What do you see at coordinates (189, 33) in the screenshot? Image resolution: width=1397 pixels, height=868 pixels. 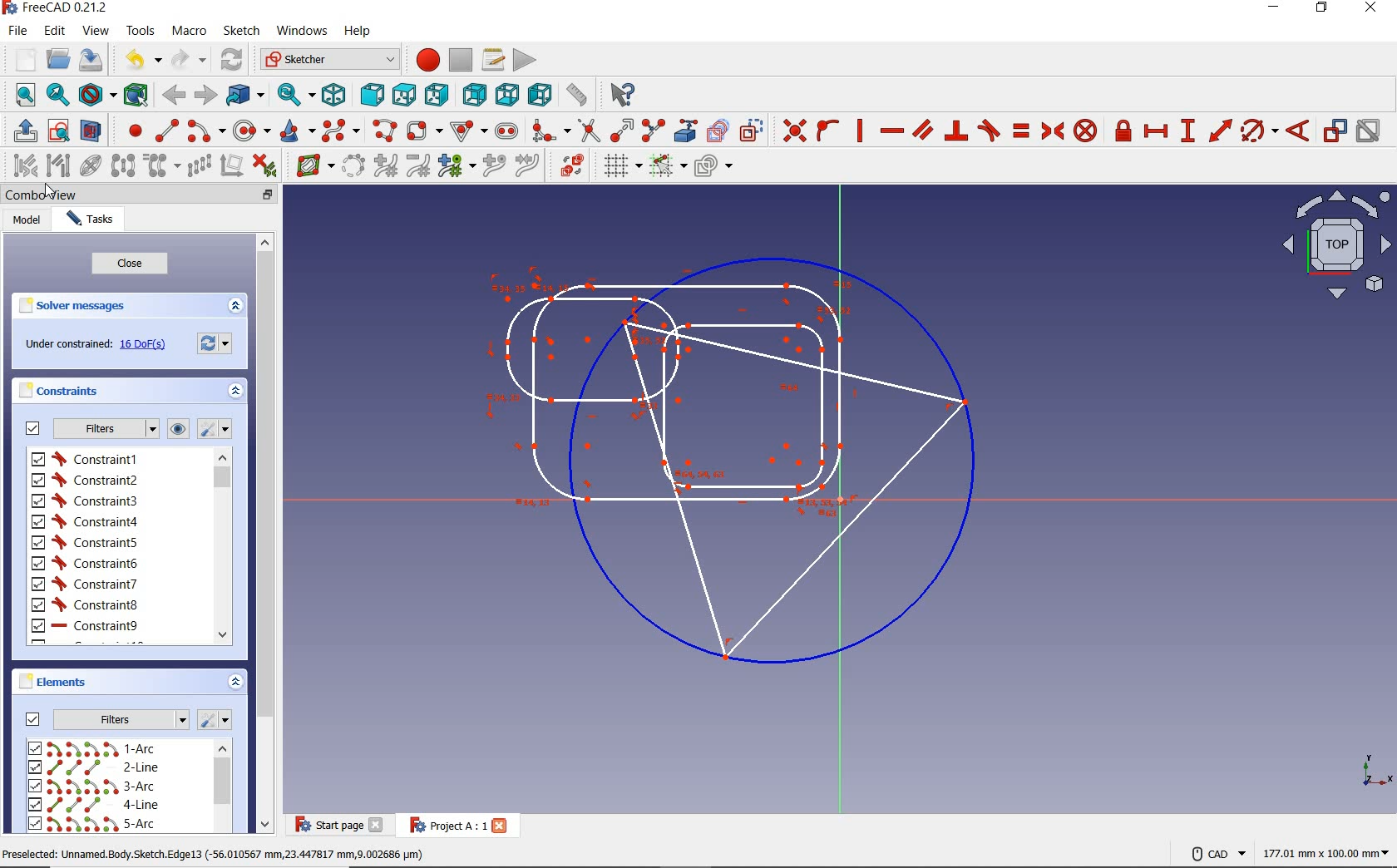 I see `macro` at bounding box center [189, 33].